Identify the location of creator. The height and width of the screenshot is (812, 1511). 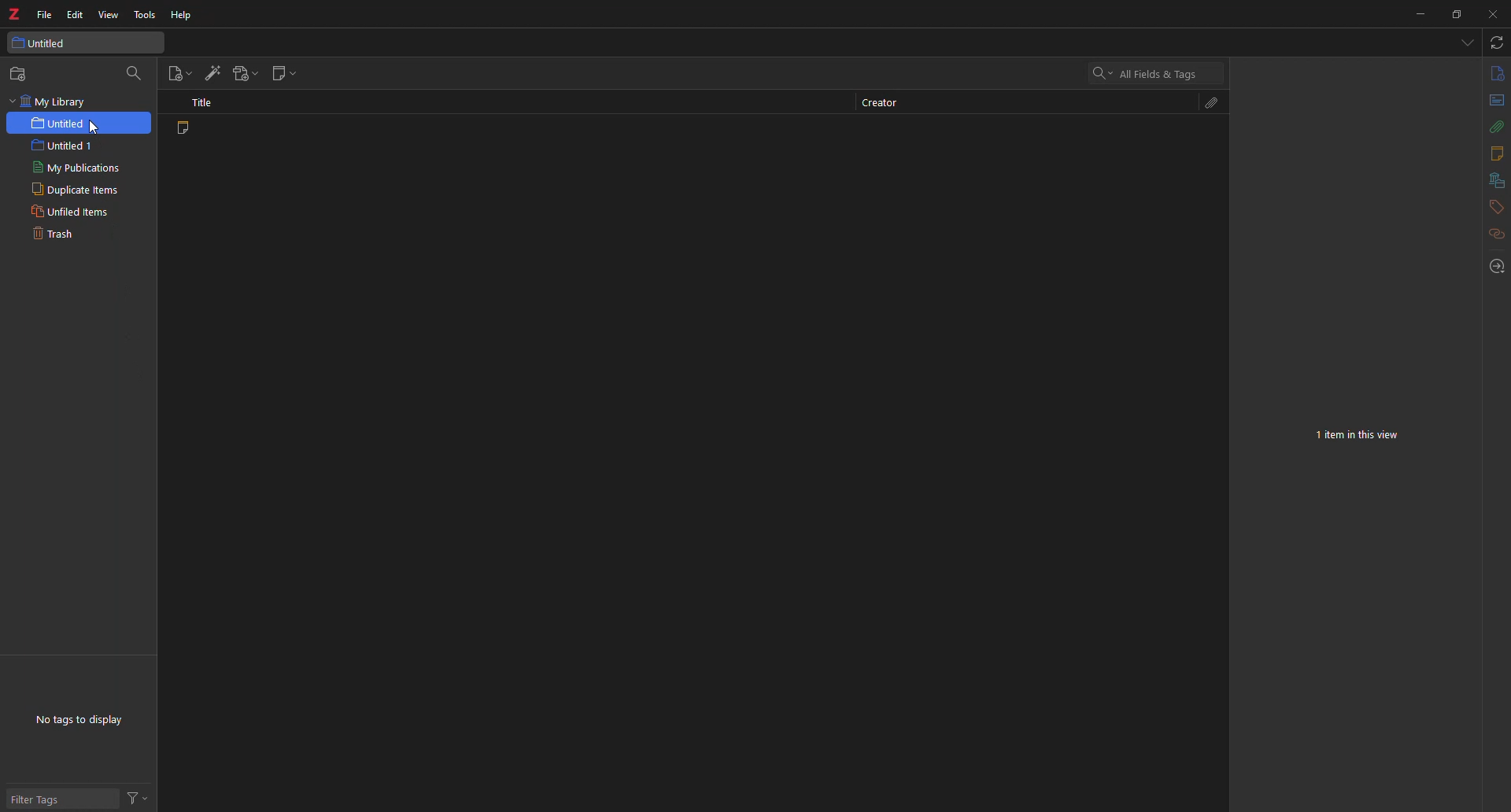
(881, 101).